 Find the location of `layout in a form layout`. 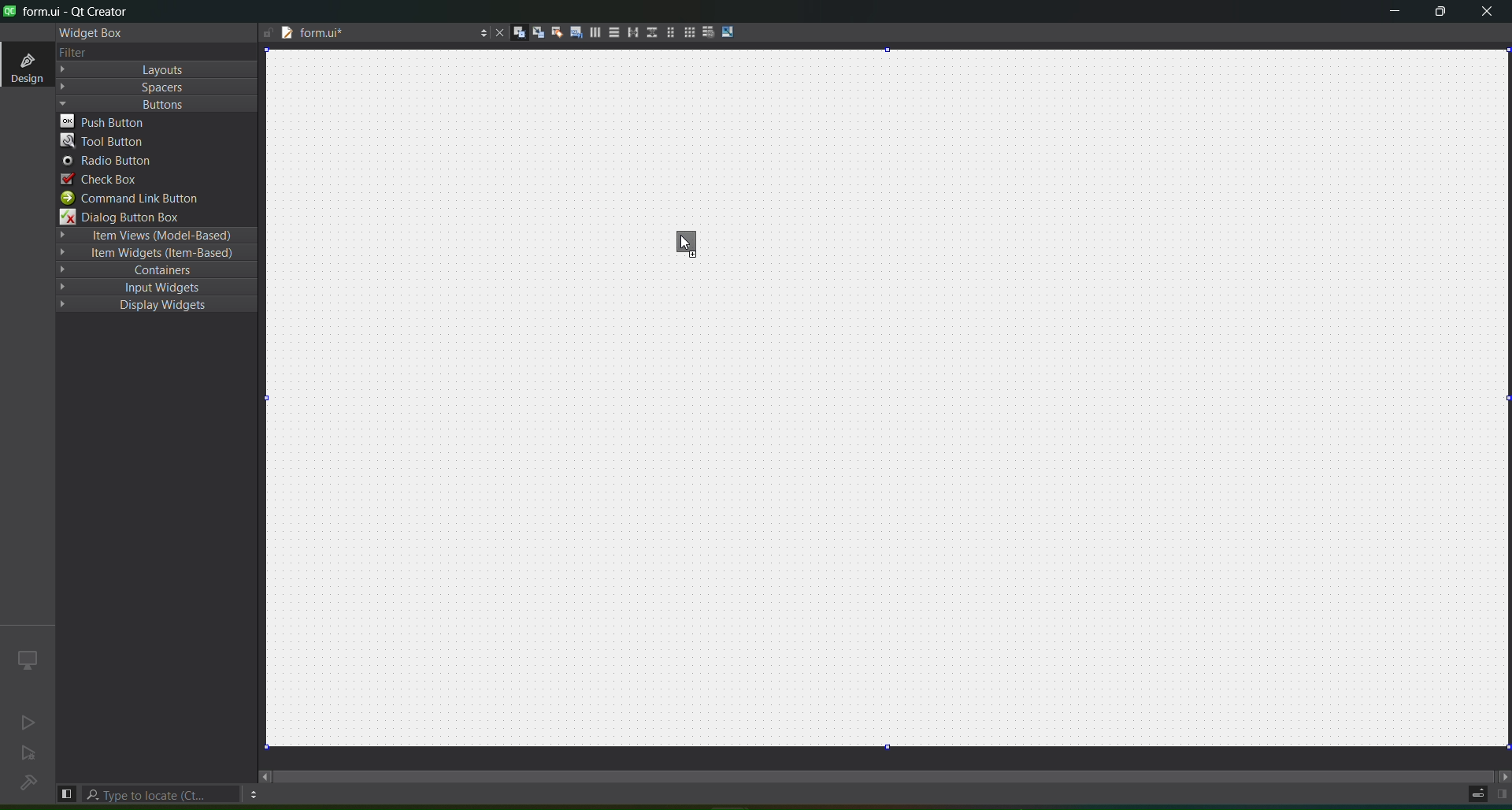

layout in a form layout is located at coordinates (669, 31).